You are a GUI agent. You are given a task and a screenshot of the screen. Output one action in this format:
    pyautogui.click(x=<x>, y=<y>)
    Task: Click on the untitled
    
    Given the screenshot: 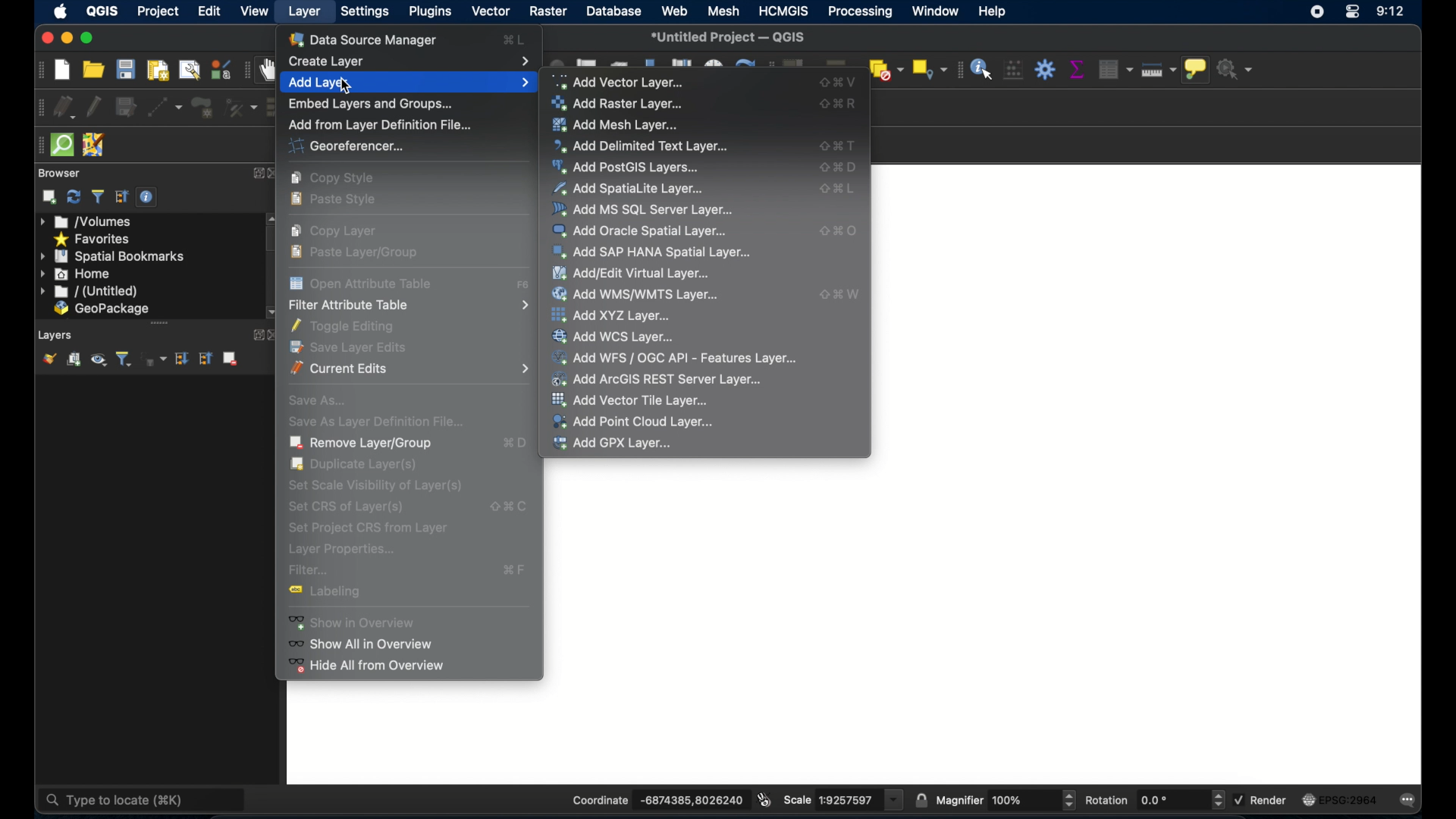 What is the action you would take?
    pyautogui.click(x=89, y=292)
    